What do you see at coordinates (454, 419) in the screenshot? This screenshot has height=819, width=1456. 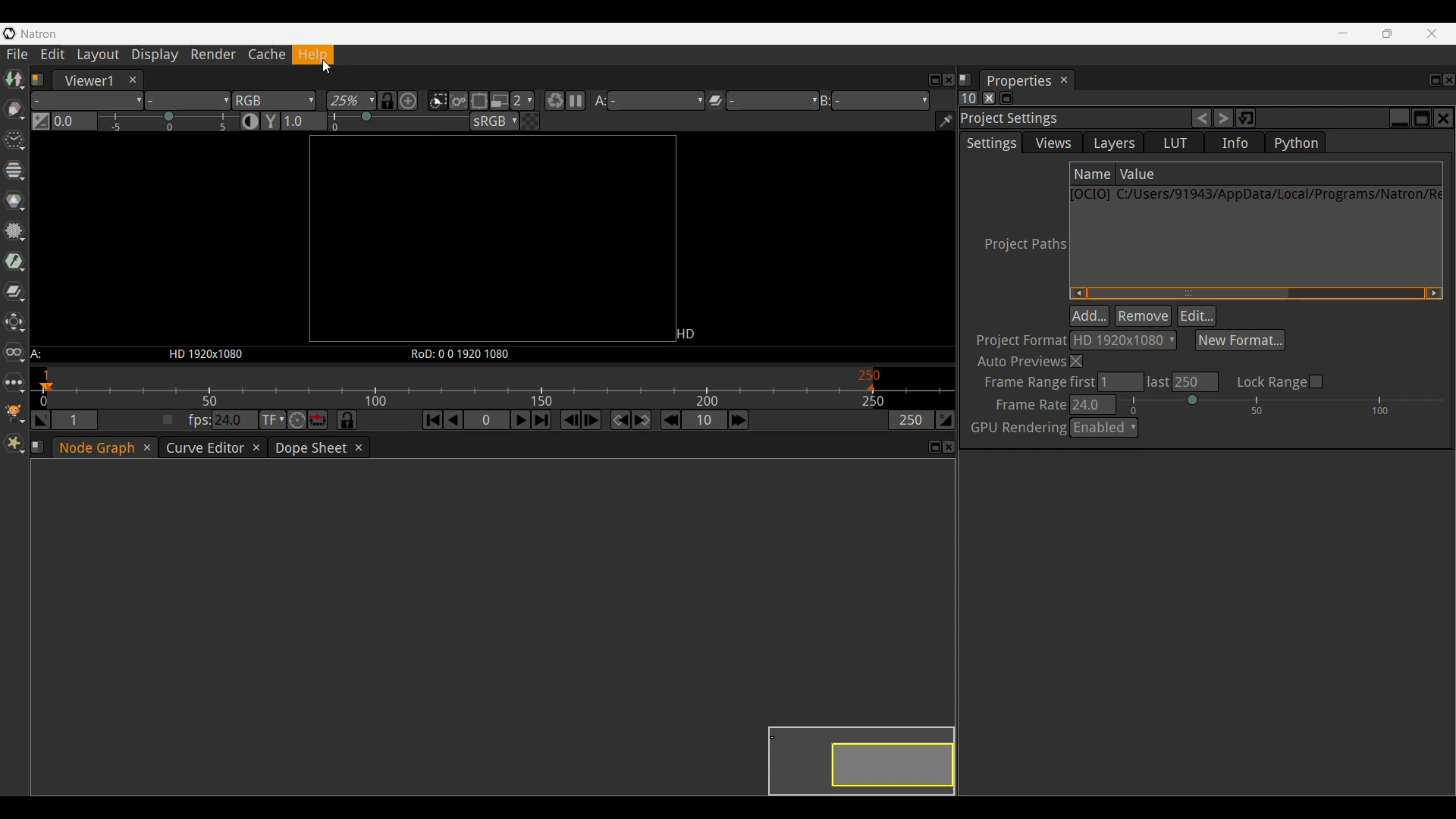 I see `Play backward` at bounding box center [454, 419].